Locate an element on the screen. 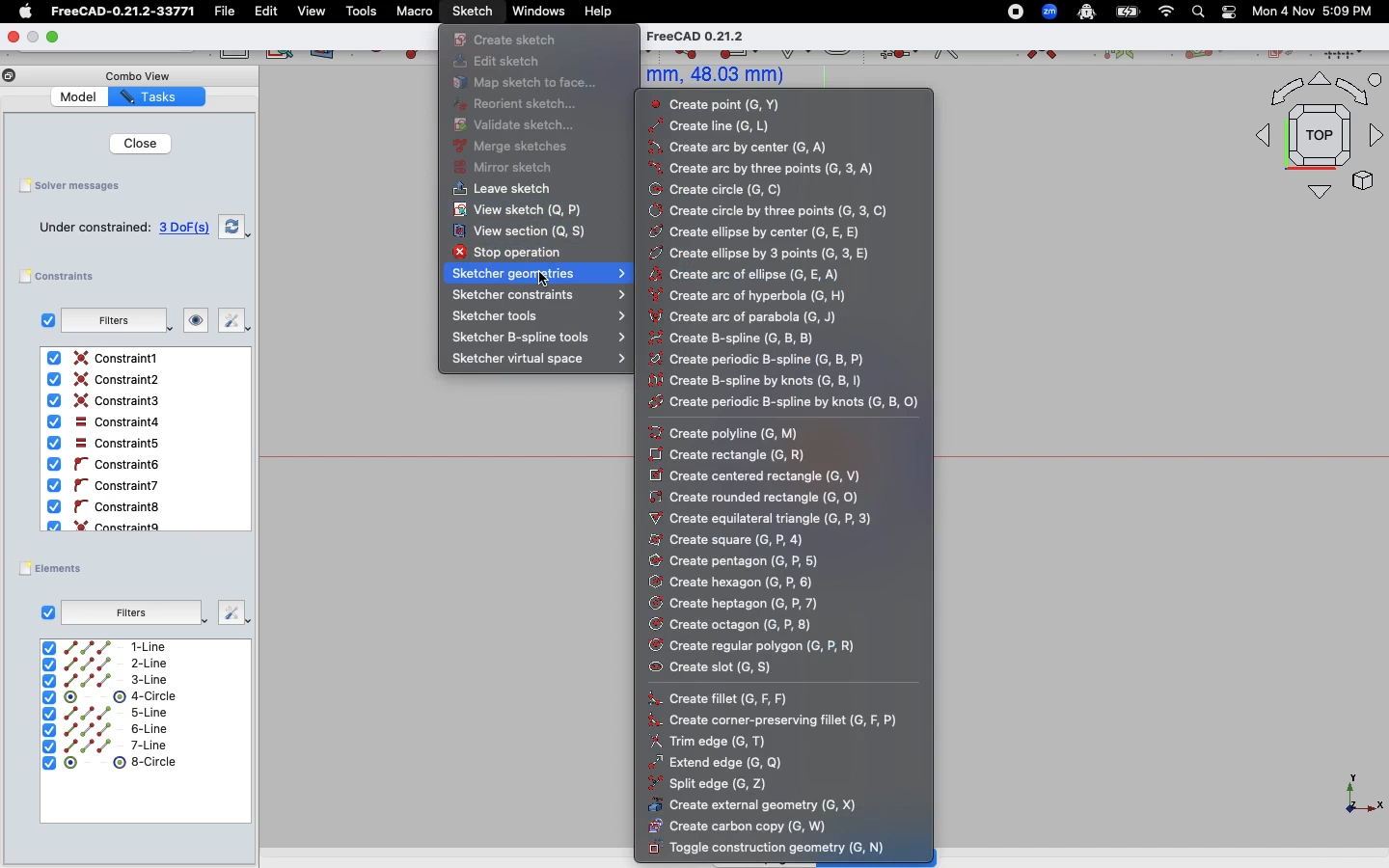 The image size is (1389, 868). Constaint6 is located at coordinates (107, 465).